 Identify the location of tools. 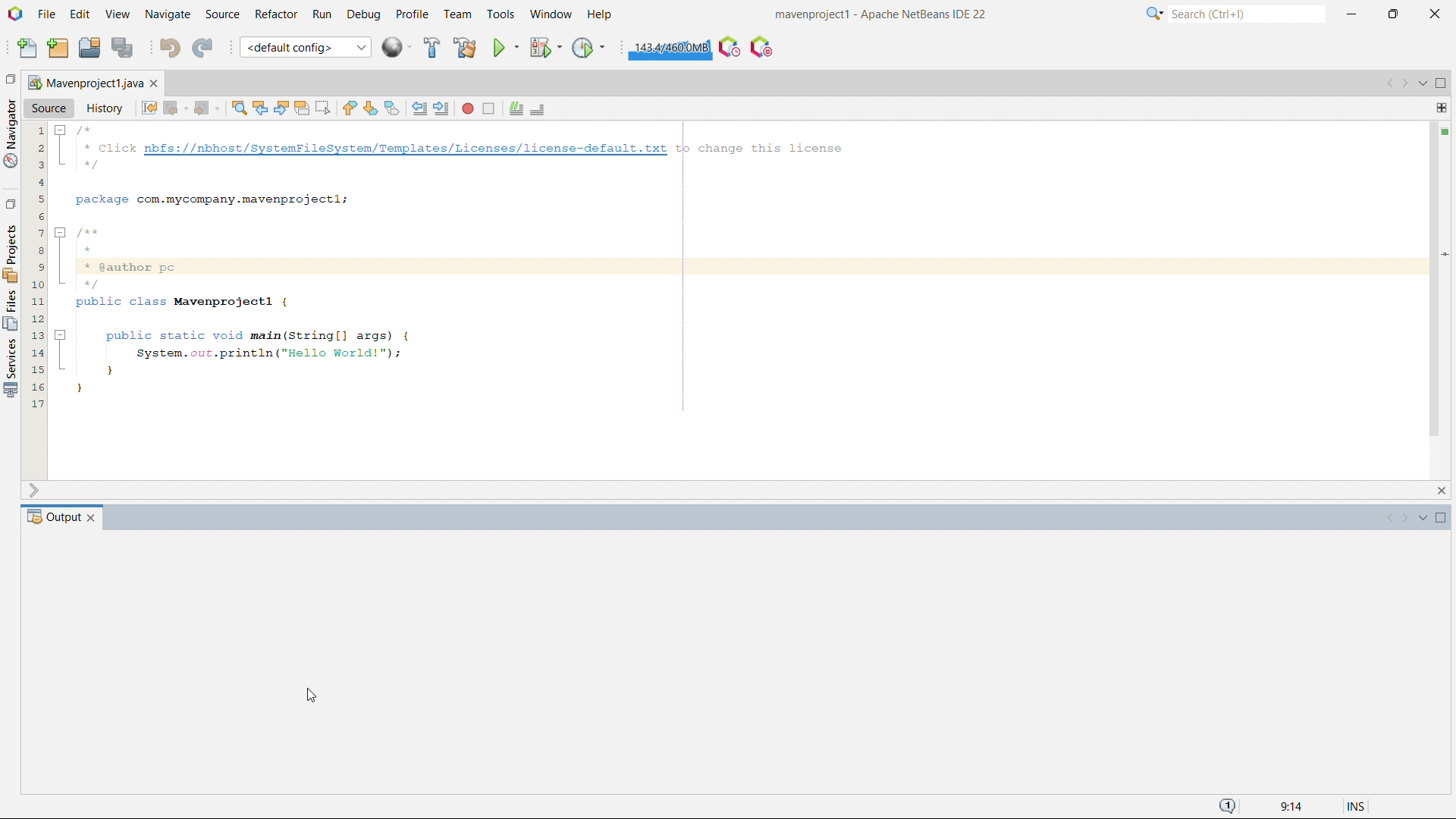
(500, 15).